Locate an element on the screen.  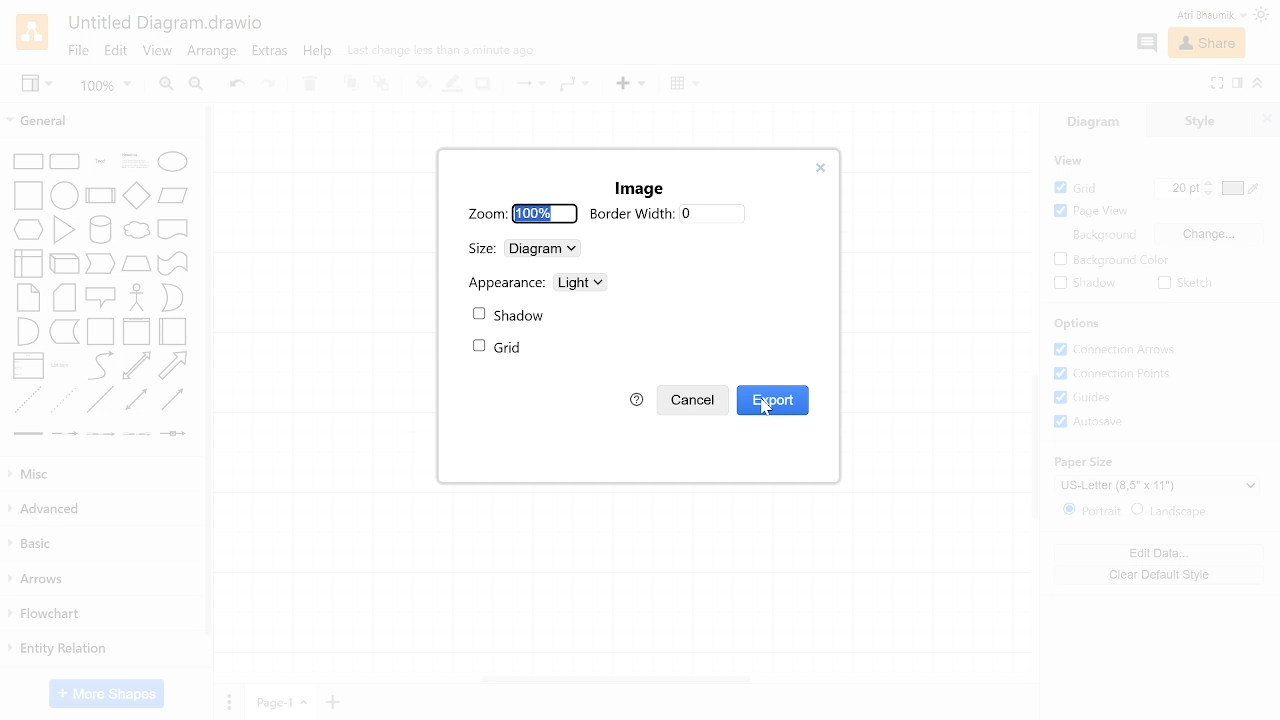
Fill color is located at coordinates (420, 83).